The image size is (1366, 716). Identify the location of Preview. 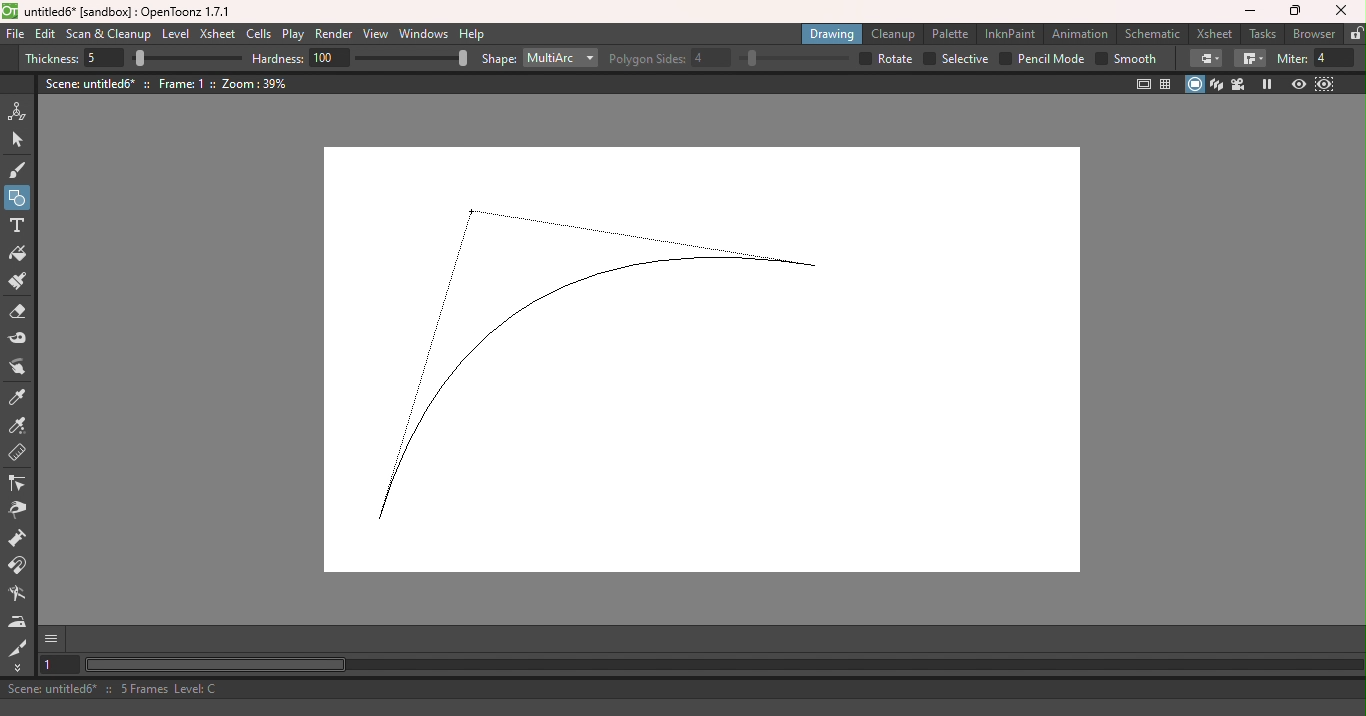
(1298, 85).